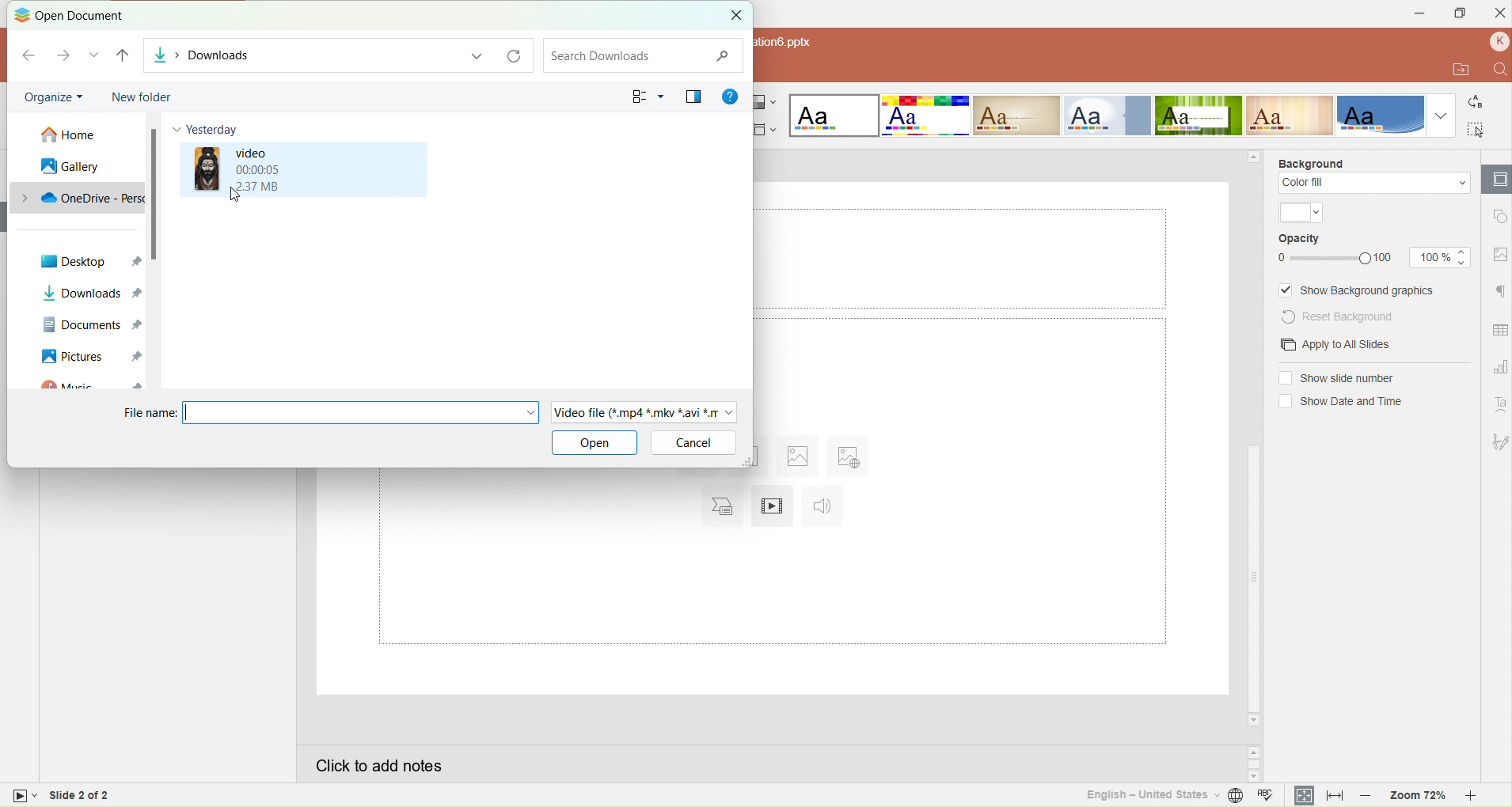 The height and width of the screenshot is (807, 1512). I want to click on Basic, so click(926, 115).